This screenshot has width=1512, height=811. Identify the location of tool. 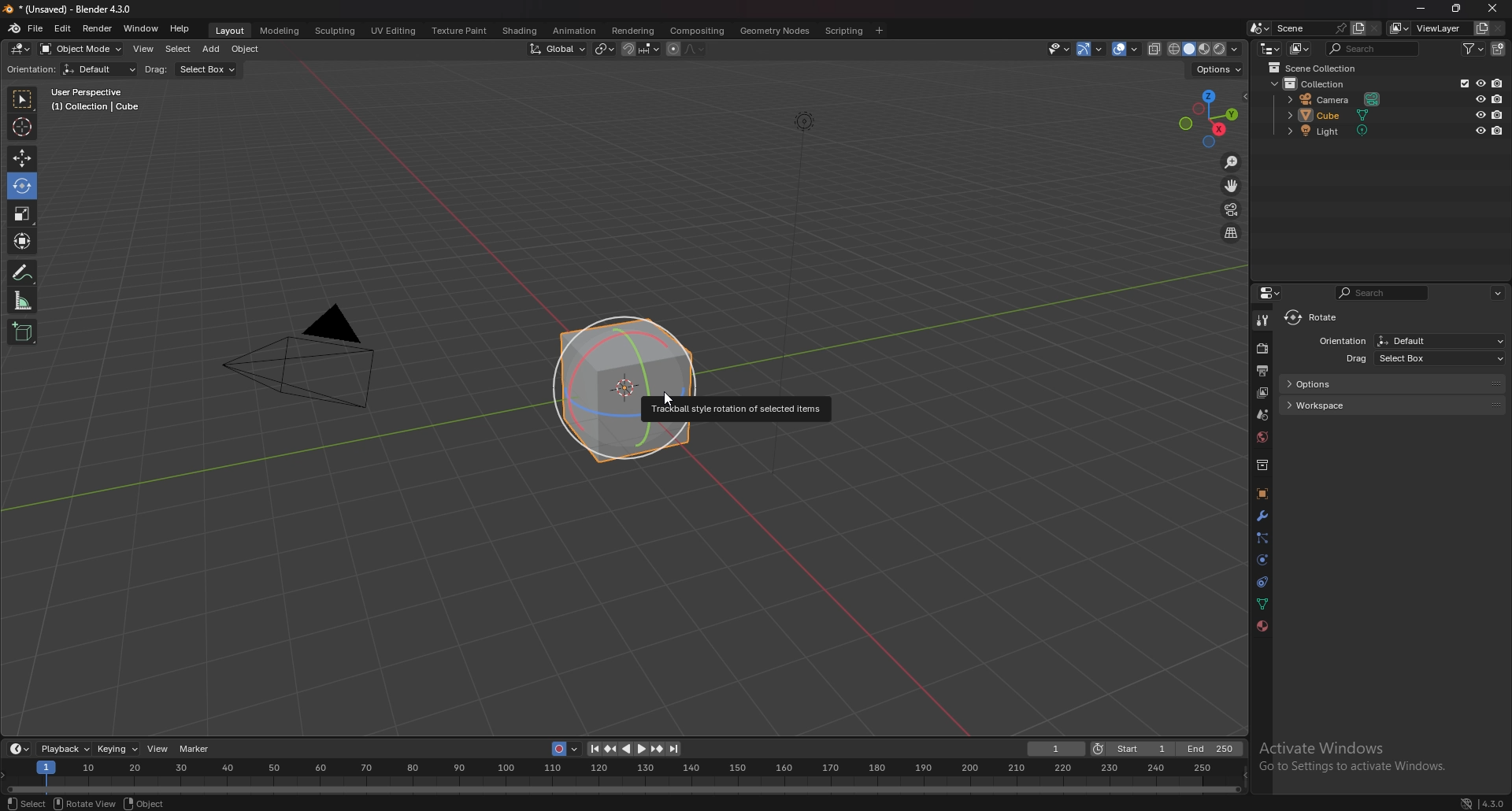
(1262, 321).